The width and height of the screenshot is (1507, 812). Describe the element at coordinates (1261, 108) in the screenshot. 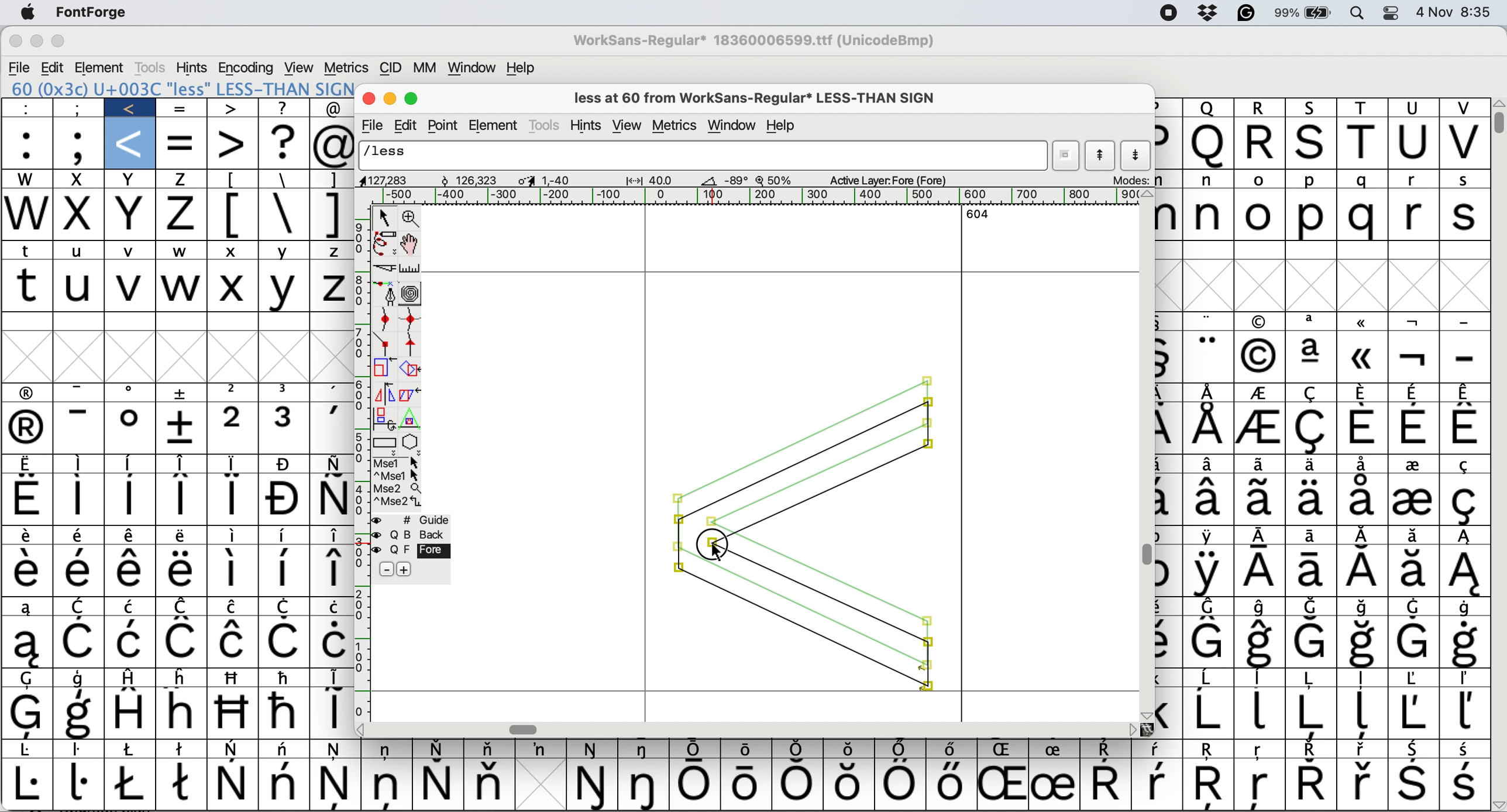

I see `r` at that location.